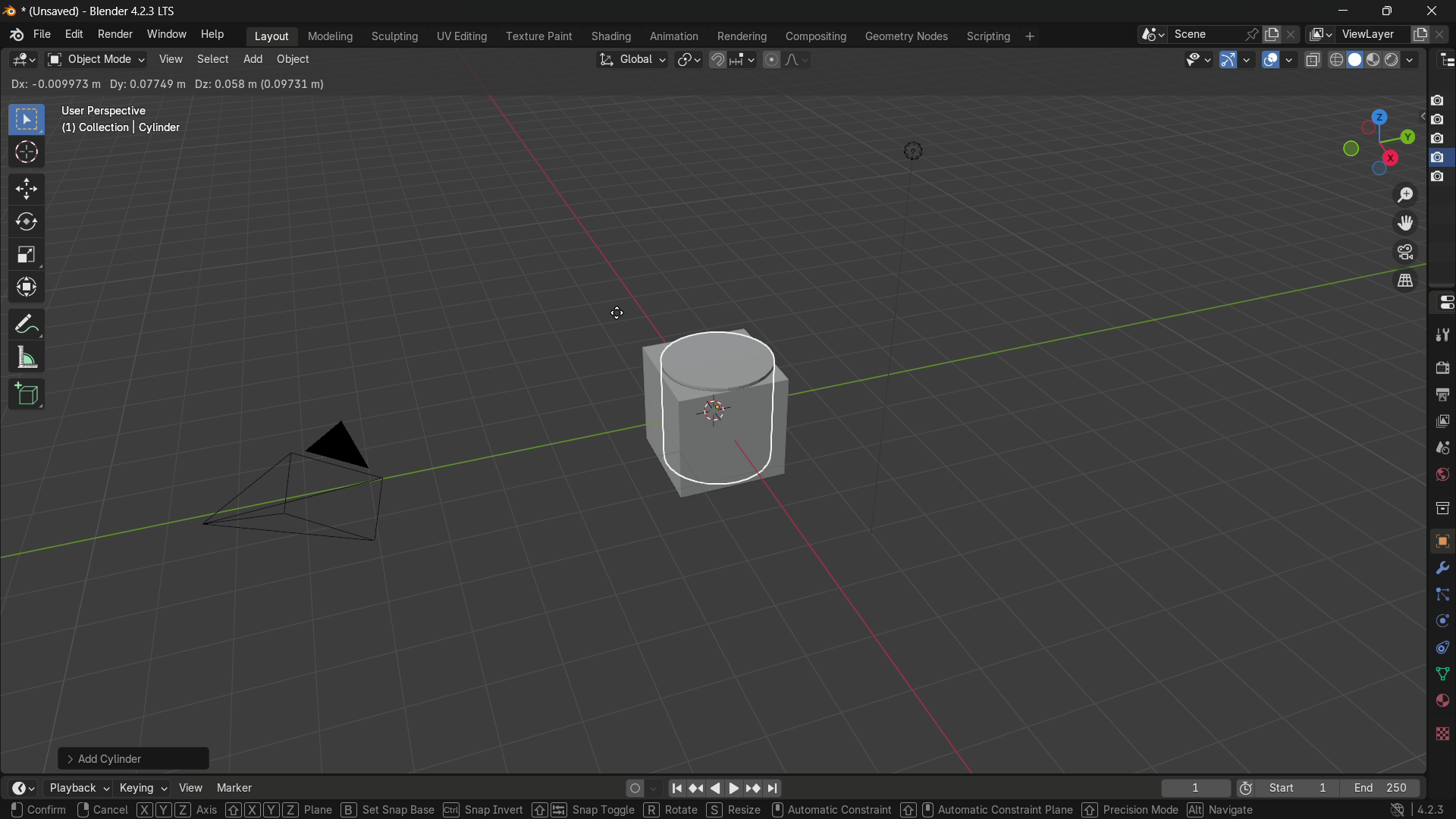 This screenshot has width=1456, height=819. What do you see at coordinates (105, 10) in the screenshot?
I see `unsaved blender 4.2.3 lts` at bounding box center [105, 10].